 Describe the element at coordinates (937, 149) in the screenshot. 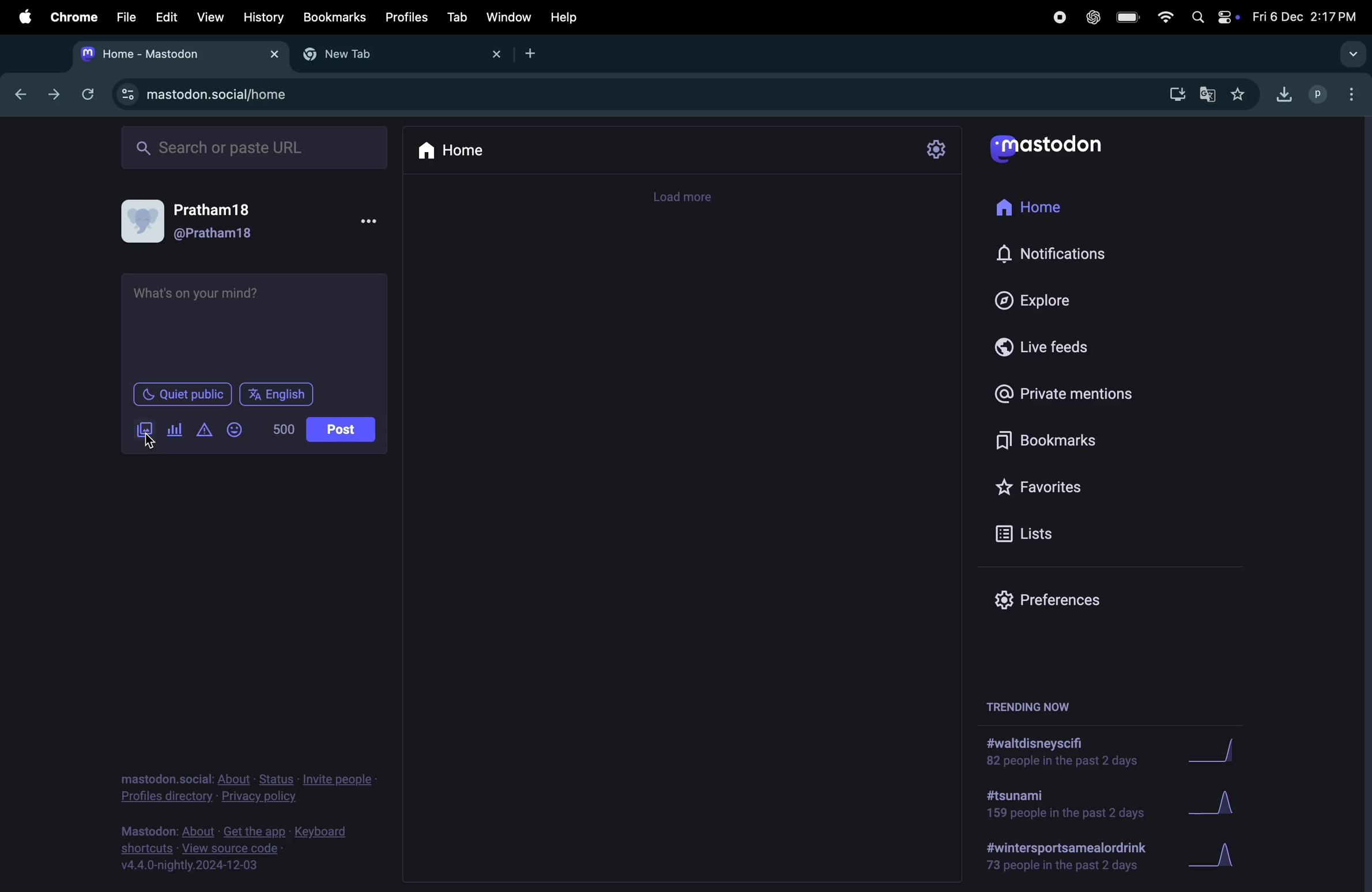

I see `settings` at that location.